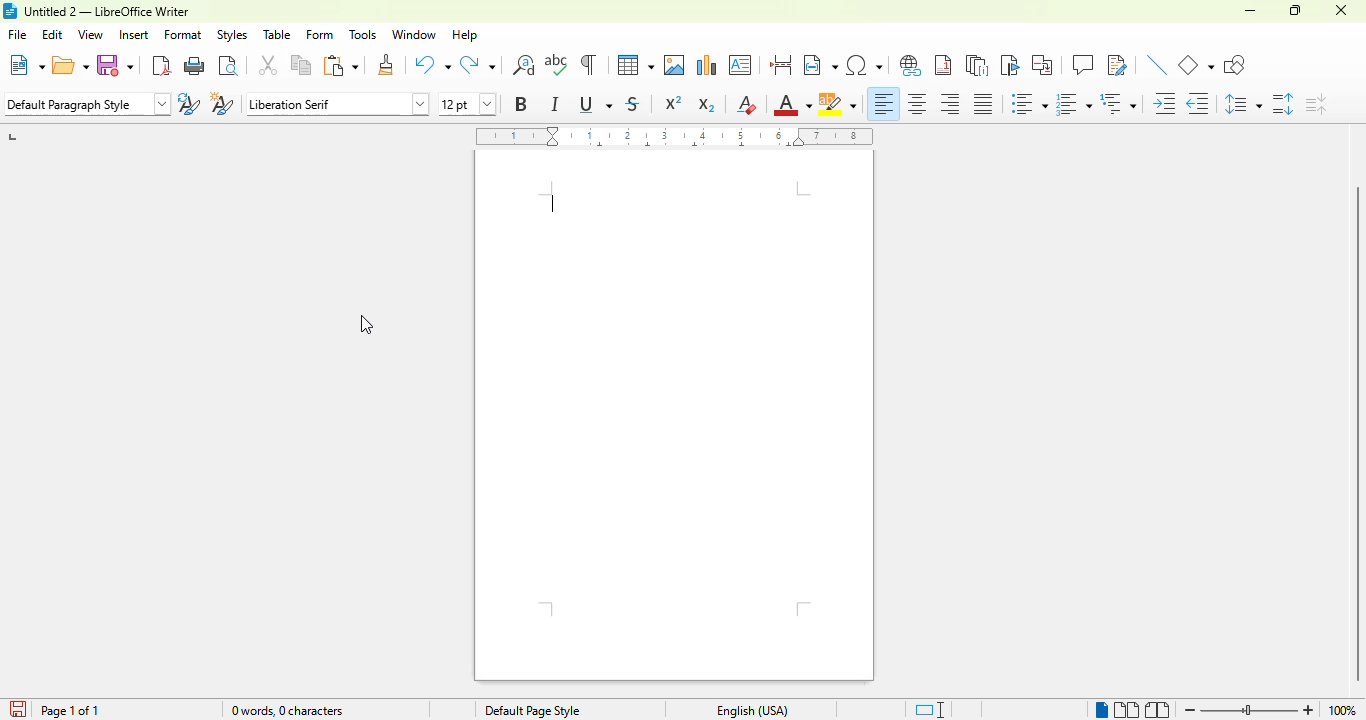 The width and height of the screenshot is (1366, 720). What do you see at coordinates (741, 65) in the screenshot?
I see `insert text box` at bounding box center [741, 65].